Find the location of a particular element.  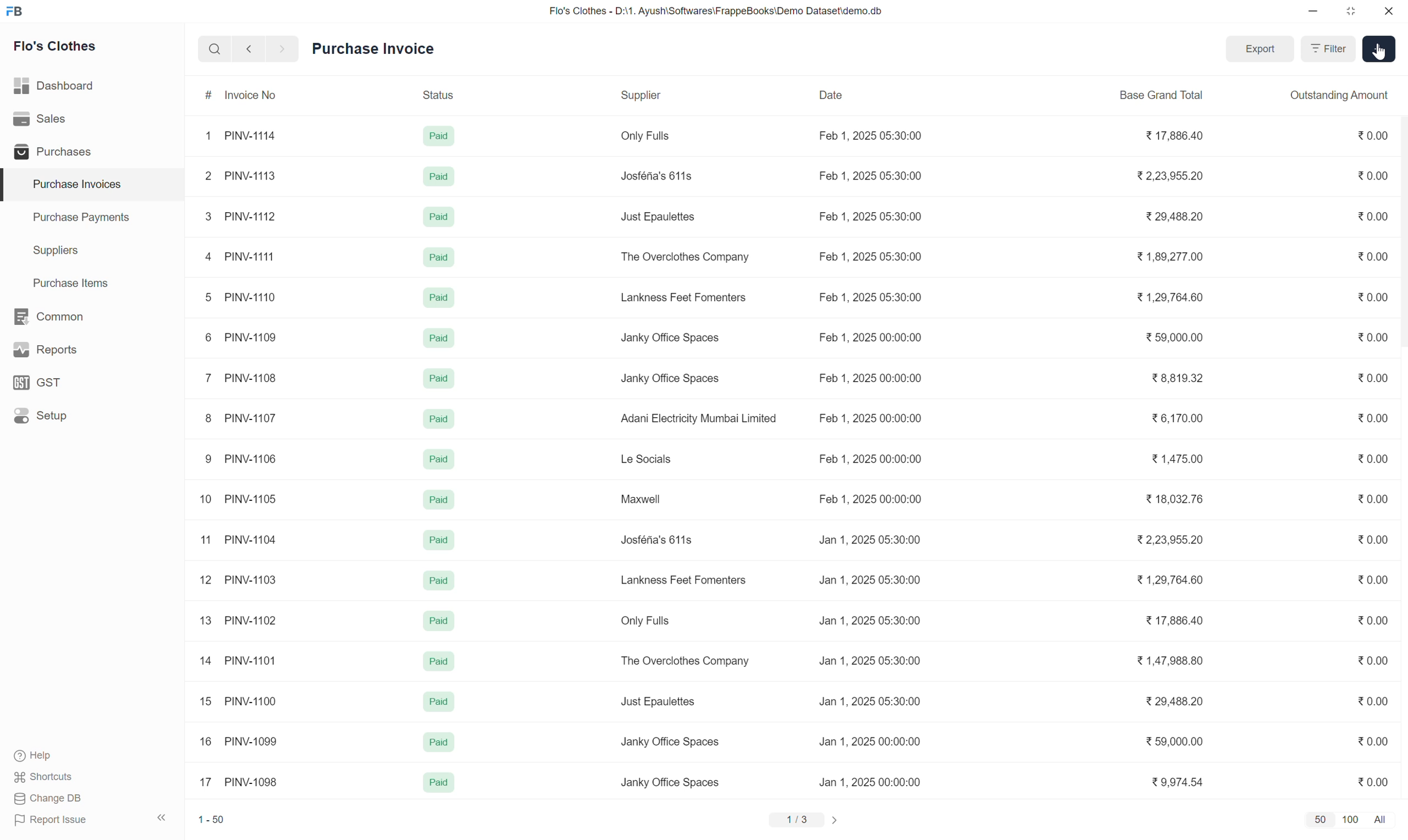

Only Fulls is located at coordinates (643, 135).